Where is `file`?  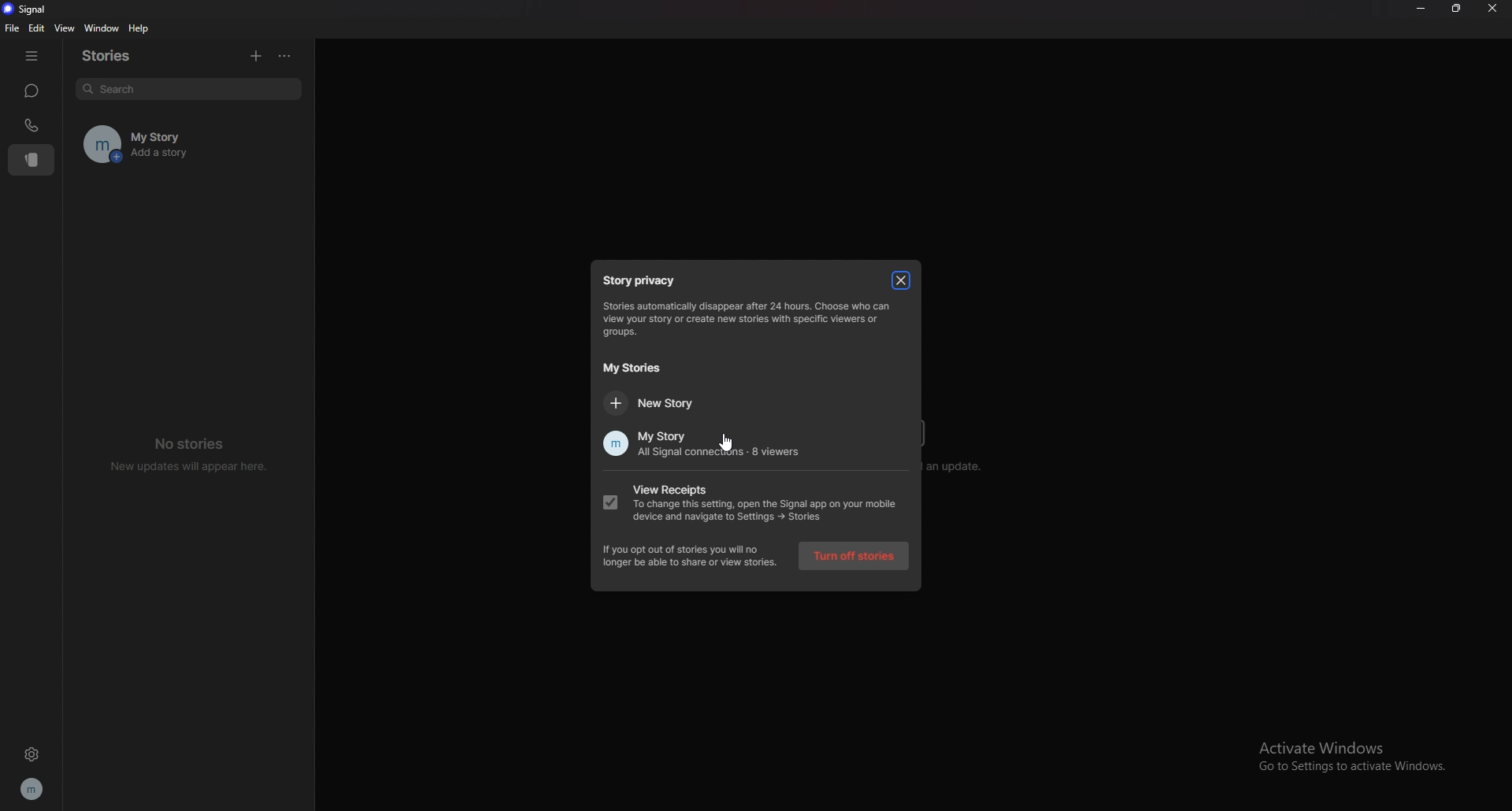 file is located at coordinates (12, 28).